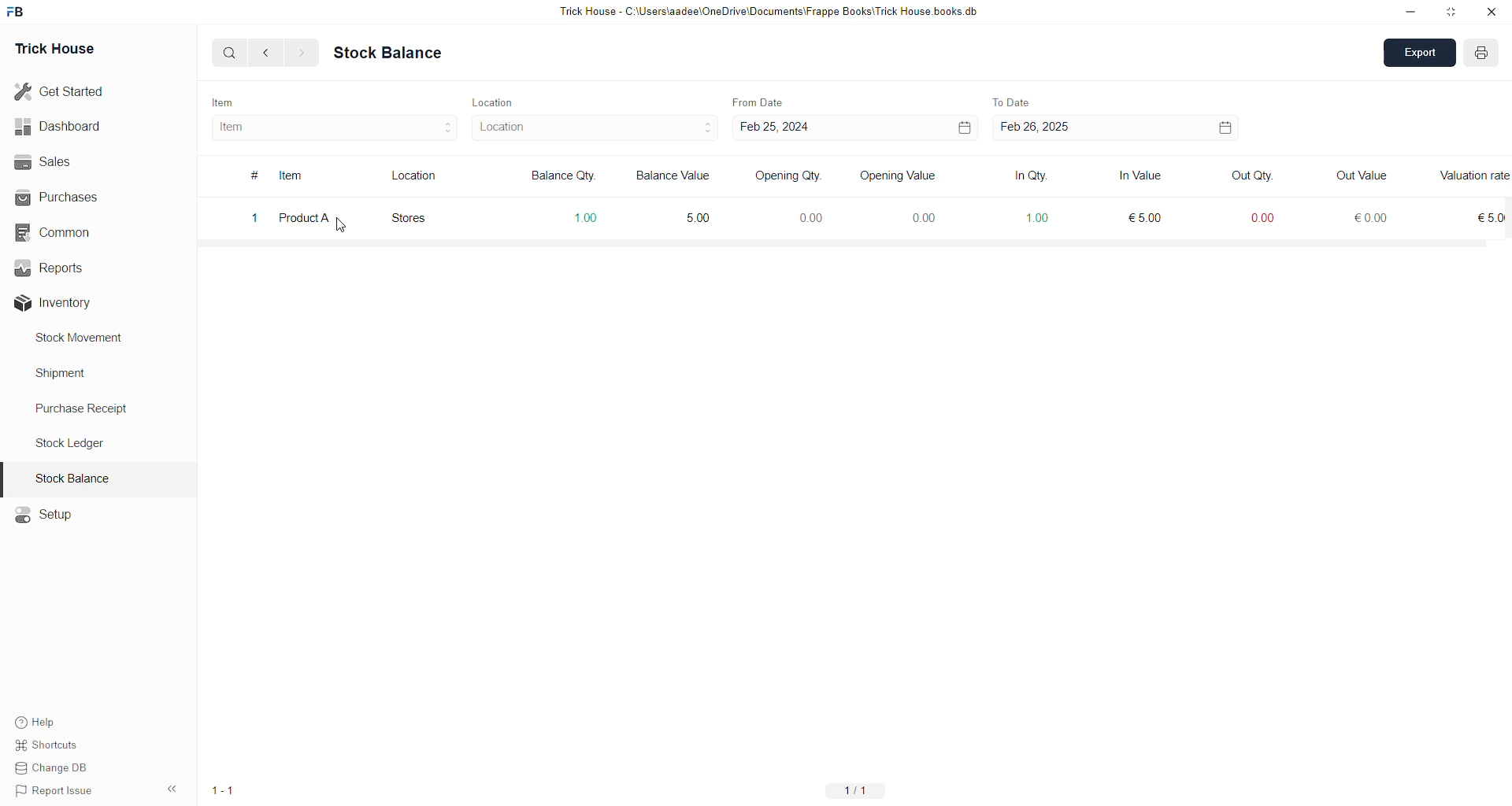 The image size is (1512, 806). I want to click on 0 EUR, so click(1364, 216).